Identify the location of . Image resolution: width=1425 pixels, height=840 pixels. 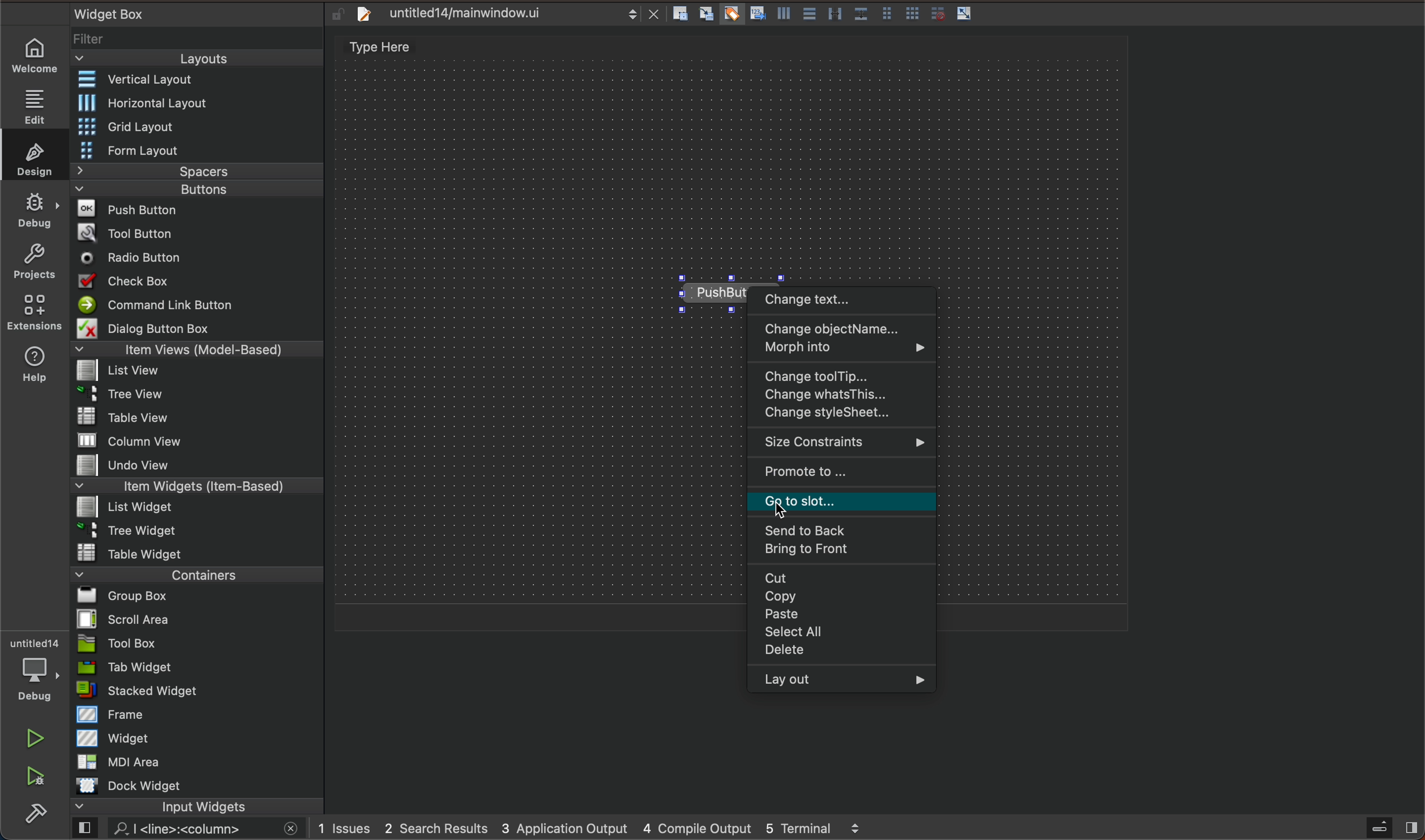
(912, 13).